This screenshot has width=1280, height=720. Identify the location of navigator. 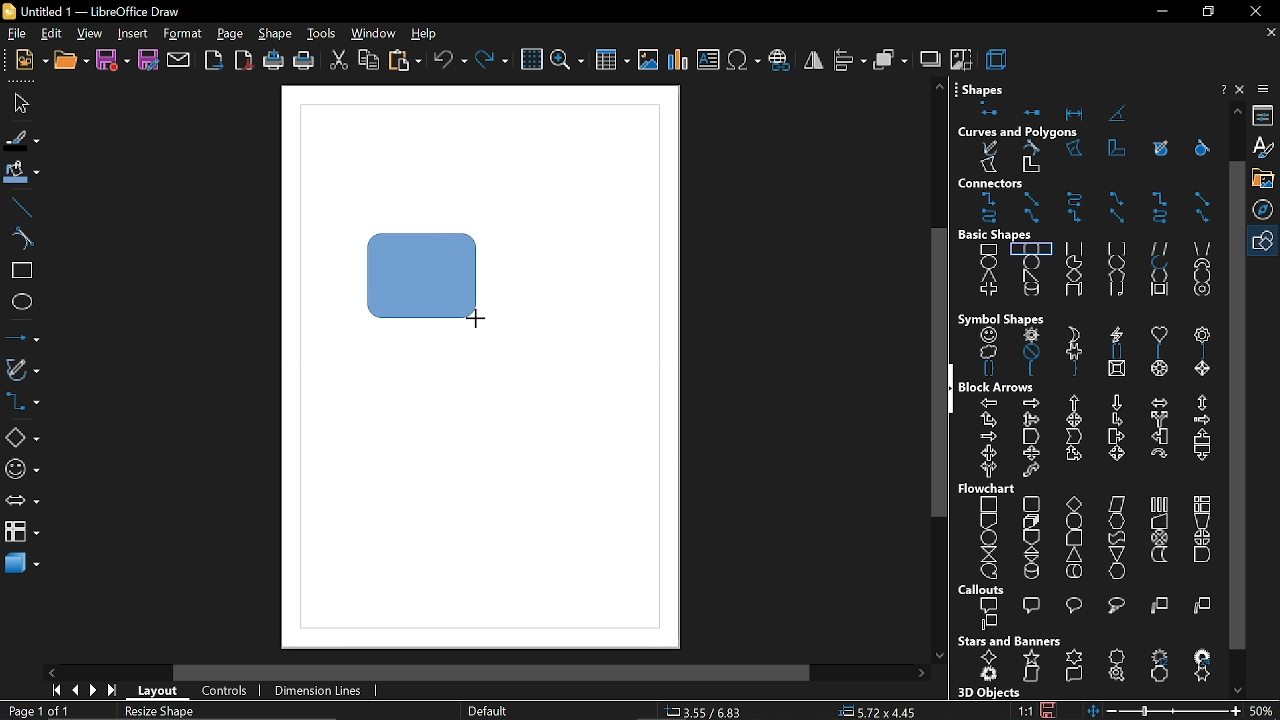
(1266, 211).